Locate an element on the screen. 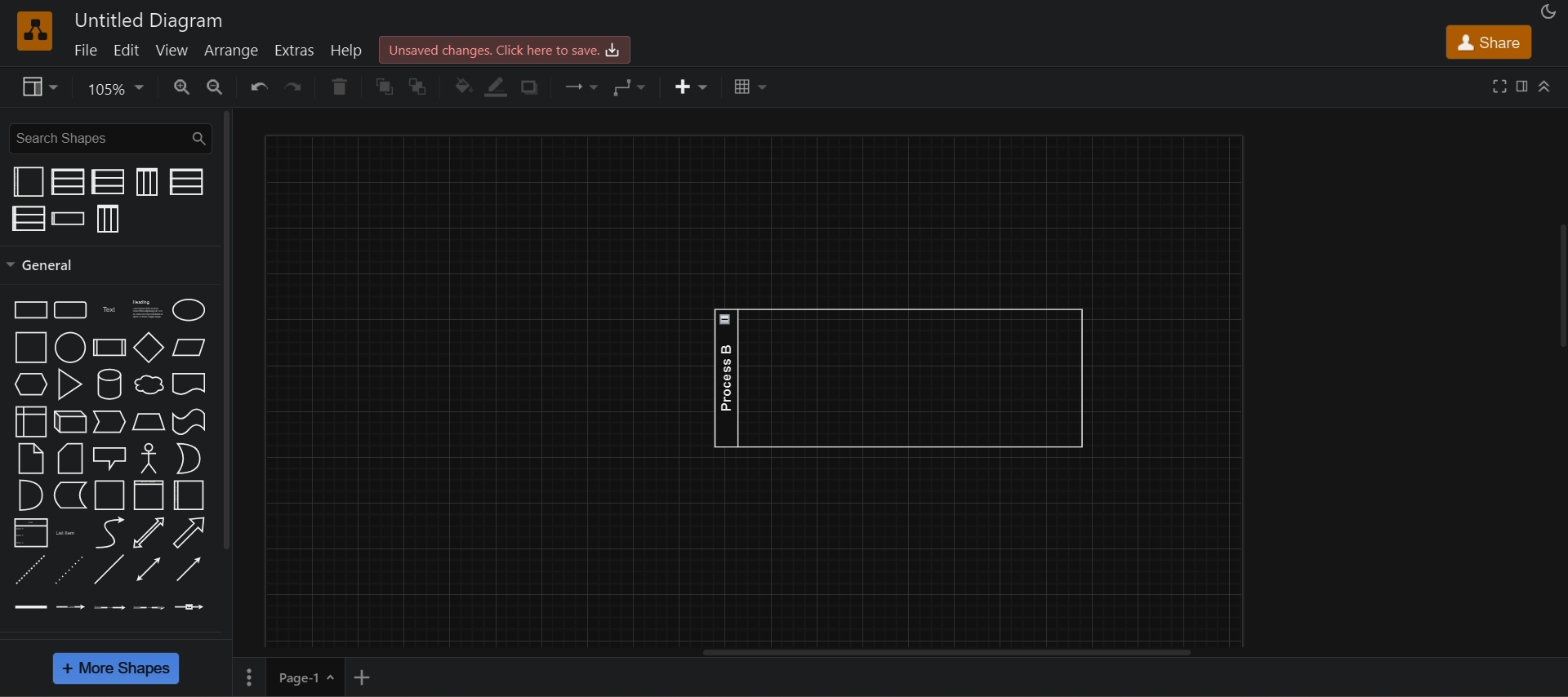 The width and height of the screenshot is (1568, 697). appearance is located at coordinates (1546, 11).